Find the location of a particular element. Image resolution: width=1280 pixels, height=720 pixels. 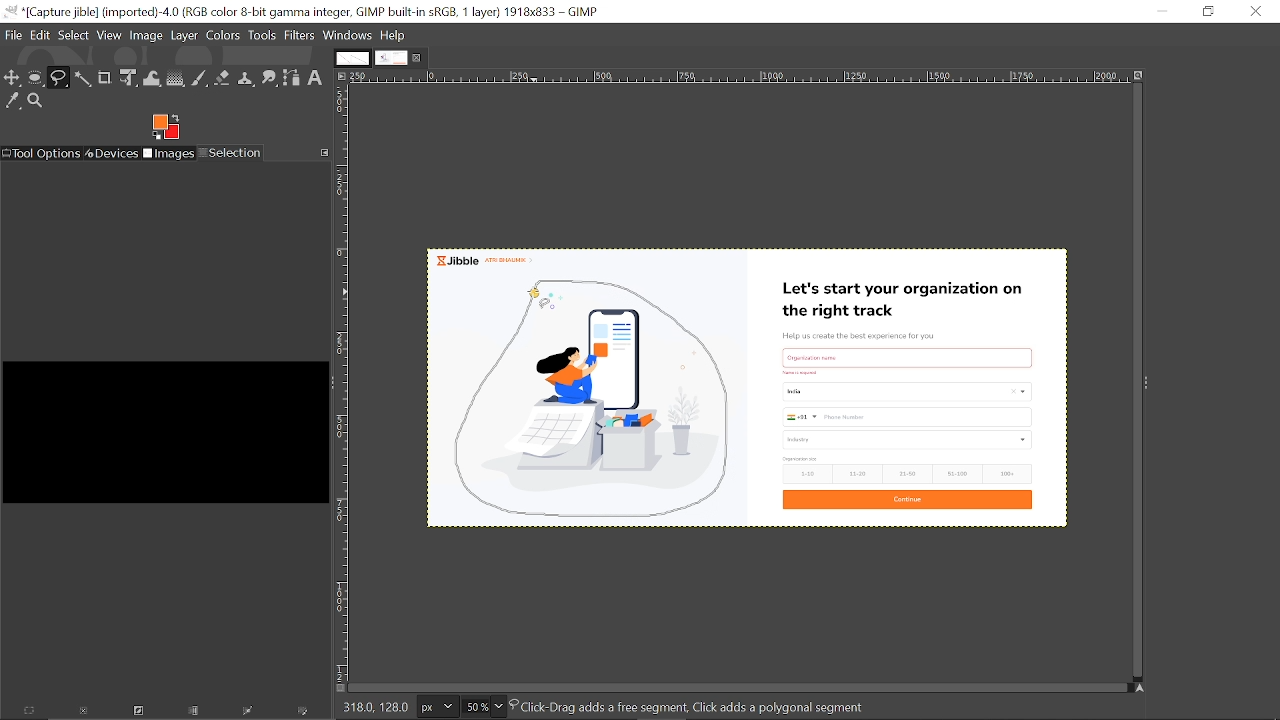

Toggle quick mask on/off is located at coordinates (339, 689).